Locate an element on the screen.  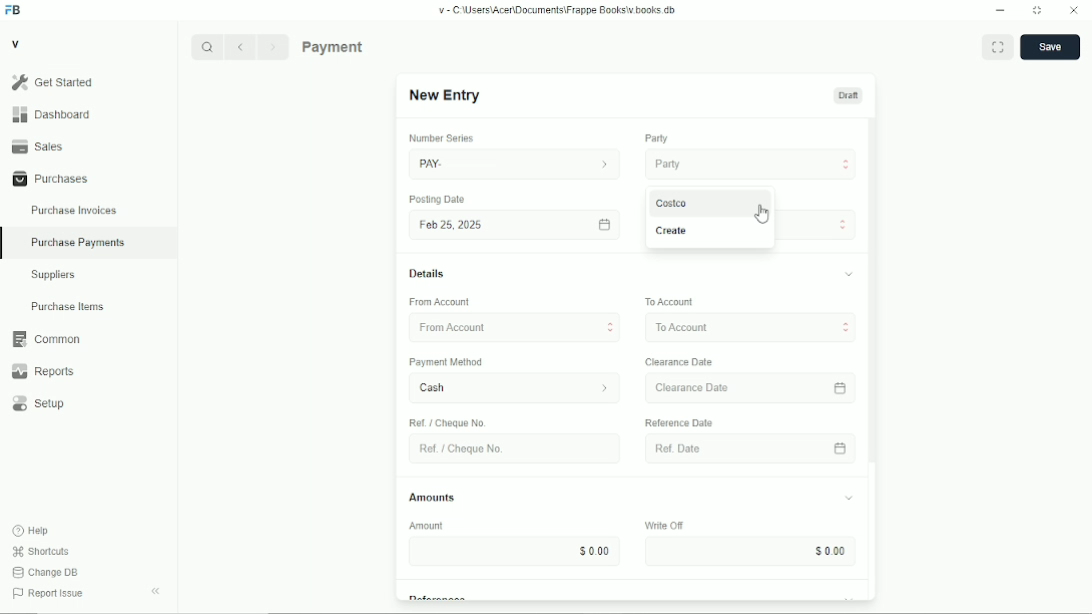
calender is located at coordinates (843, 388).